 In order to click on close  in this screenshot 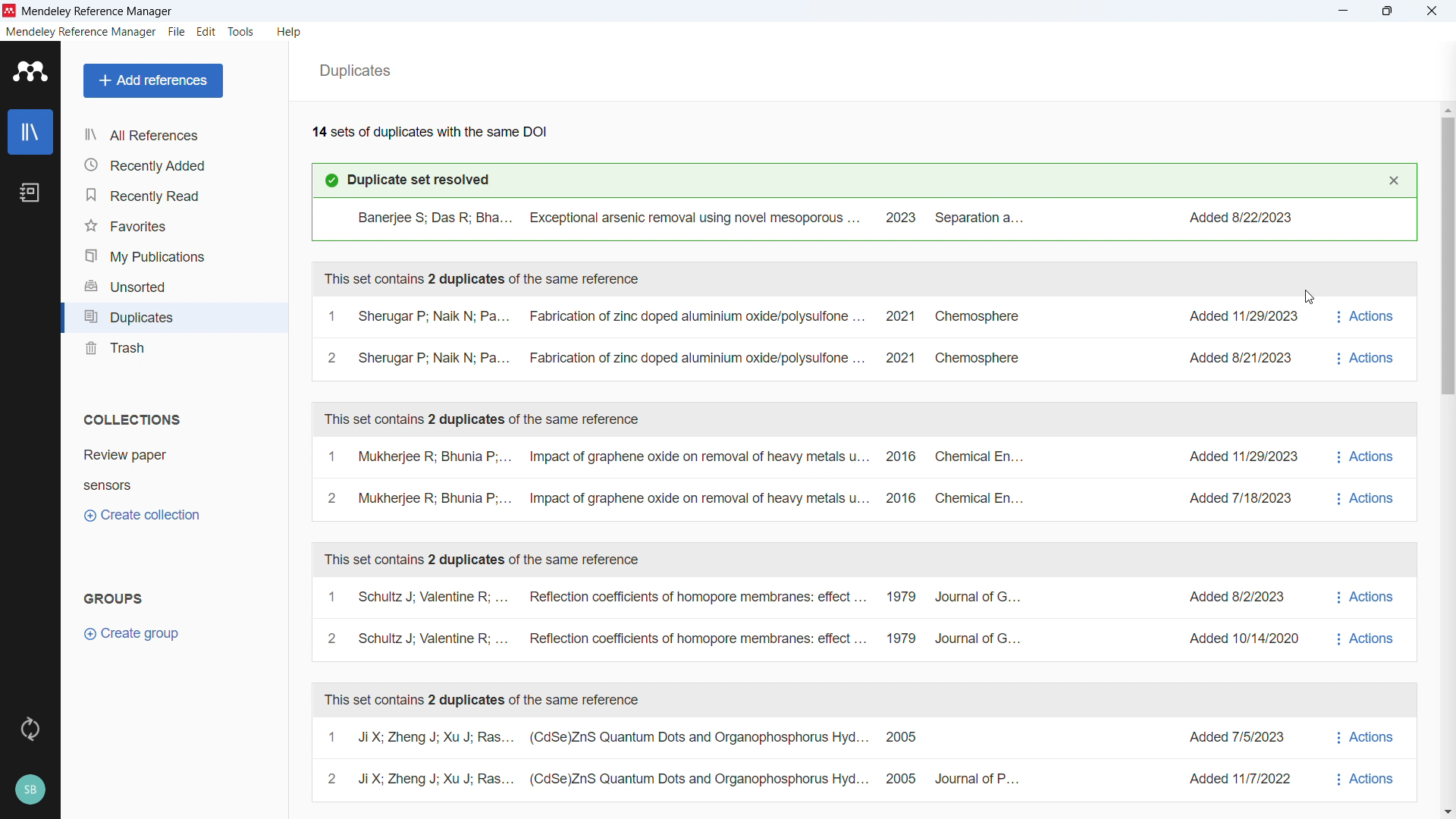, I will do `click(1394, 180)`.